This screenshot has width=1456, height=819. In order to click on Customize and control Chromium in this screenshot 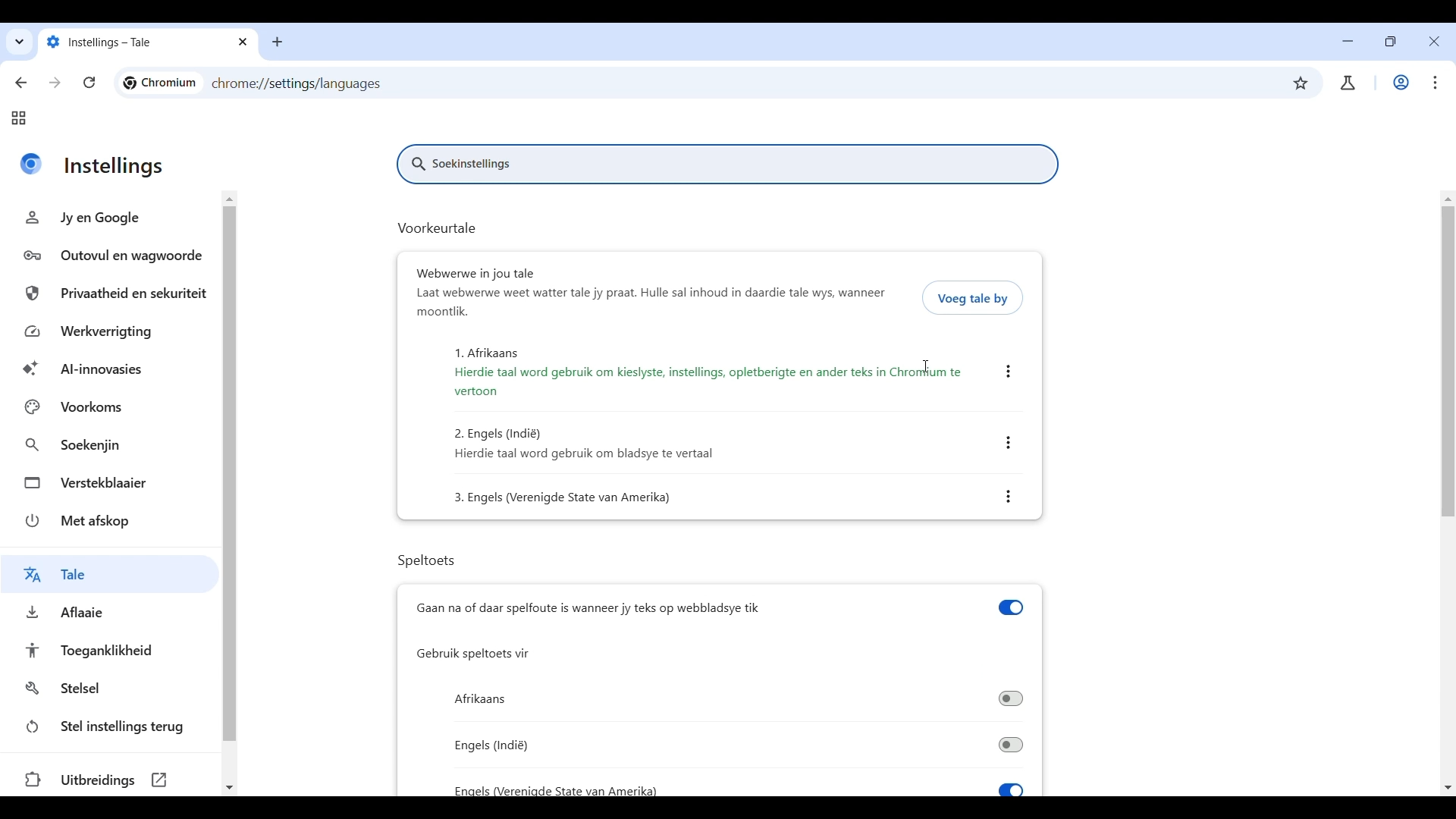, I will do `click(1432, 82)`.